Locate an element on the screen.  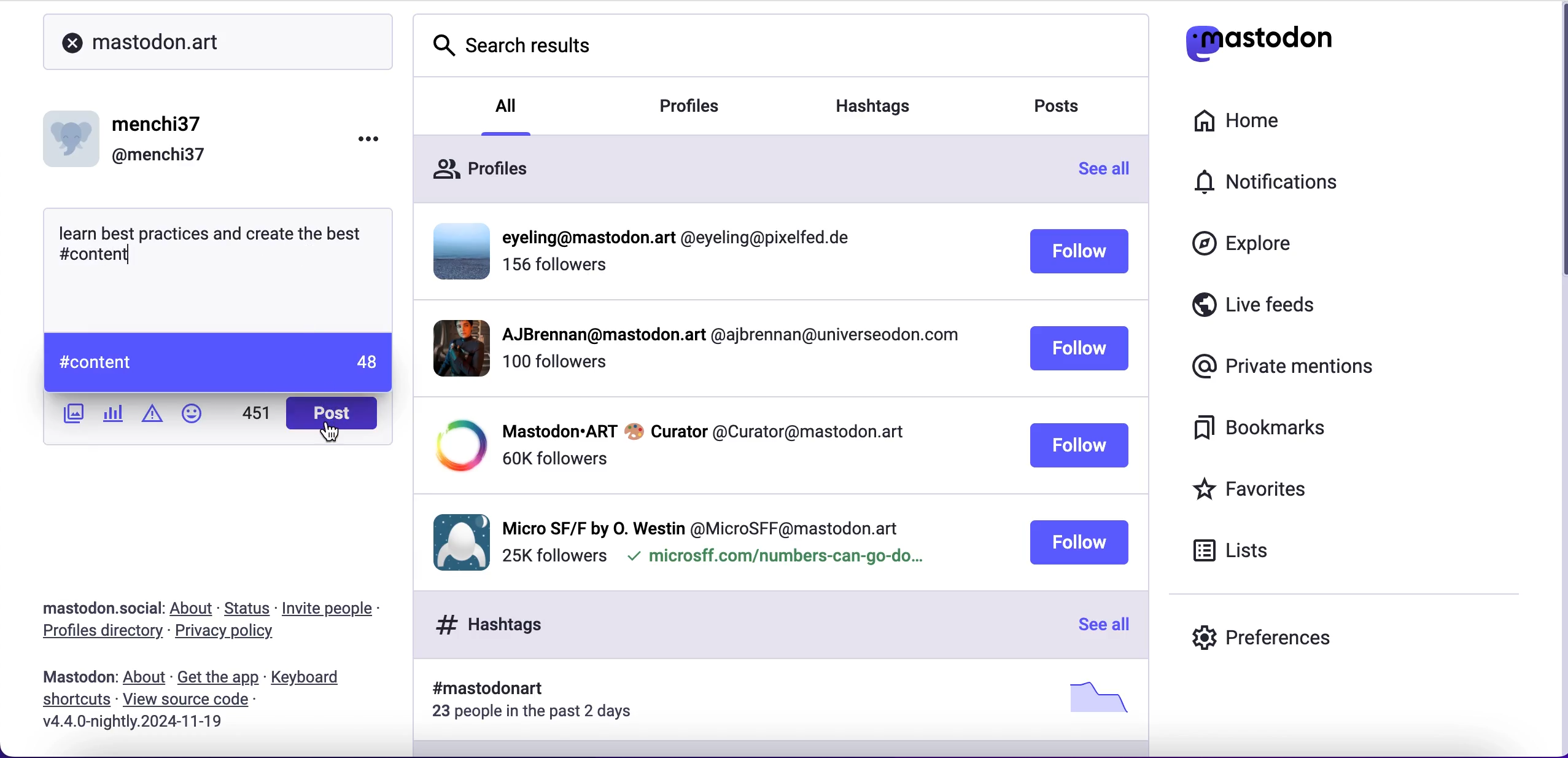
lists is located at coordinates (1241, 554).